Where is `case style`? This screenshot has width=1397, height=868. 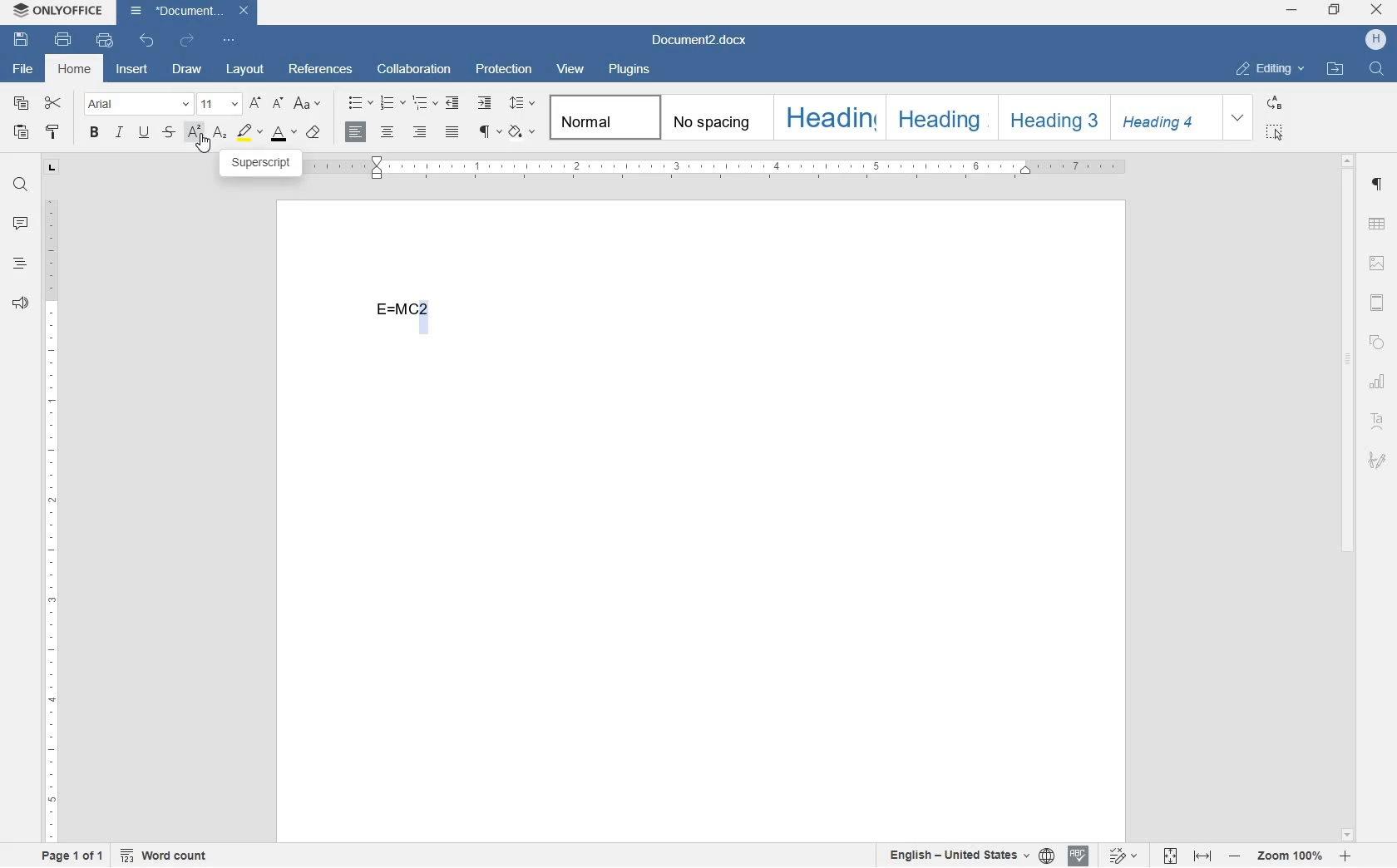
case style is located at coordinates (315, 135).